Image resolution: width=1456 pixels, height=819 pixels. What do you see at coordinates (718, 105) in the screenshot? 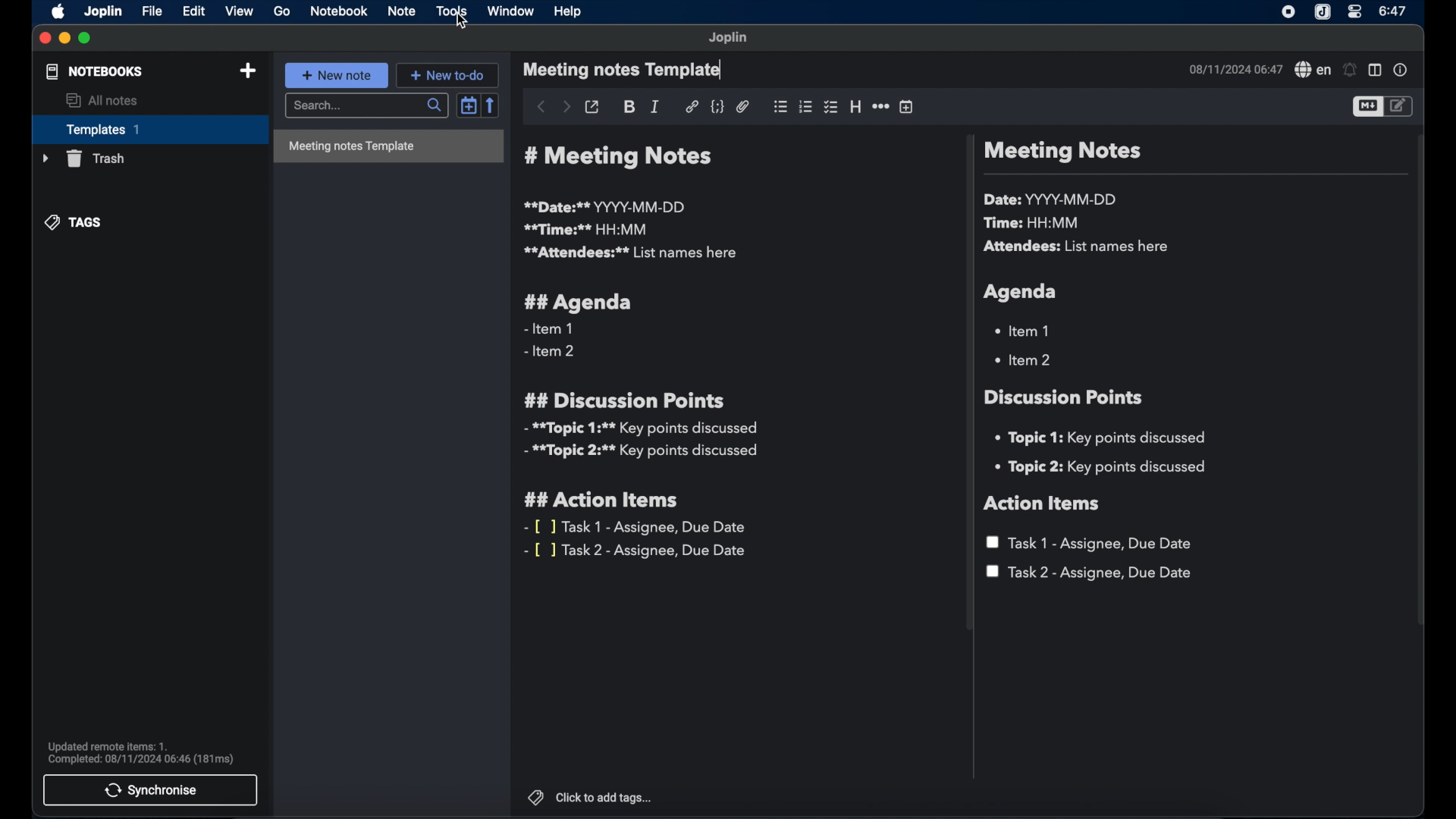
I see `code` at bounding box center [718, 105].